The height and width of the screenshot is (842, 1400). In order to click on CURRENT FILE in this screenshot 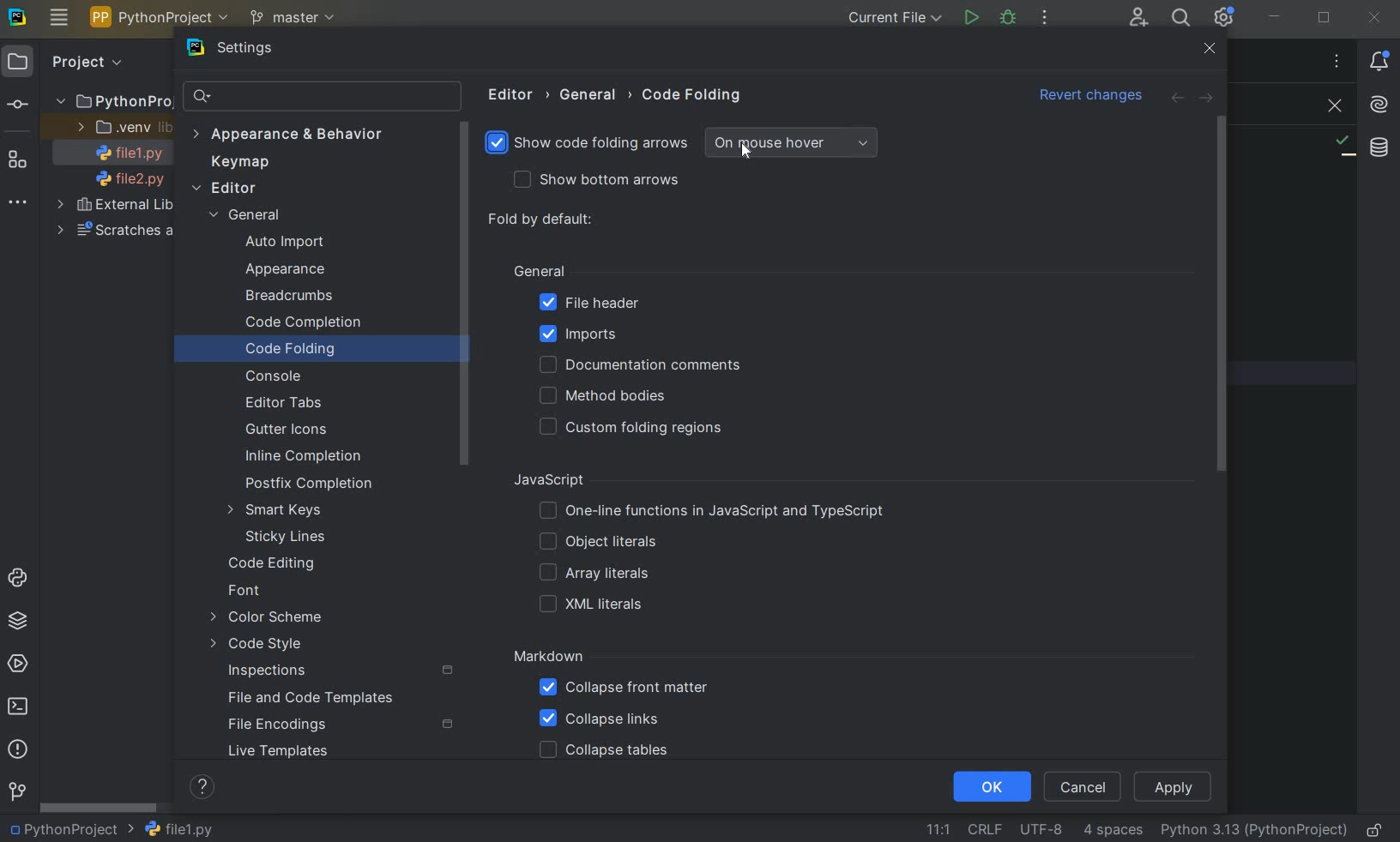, I will do `click(892, 18)`.